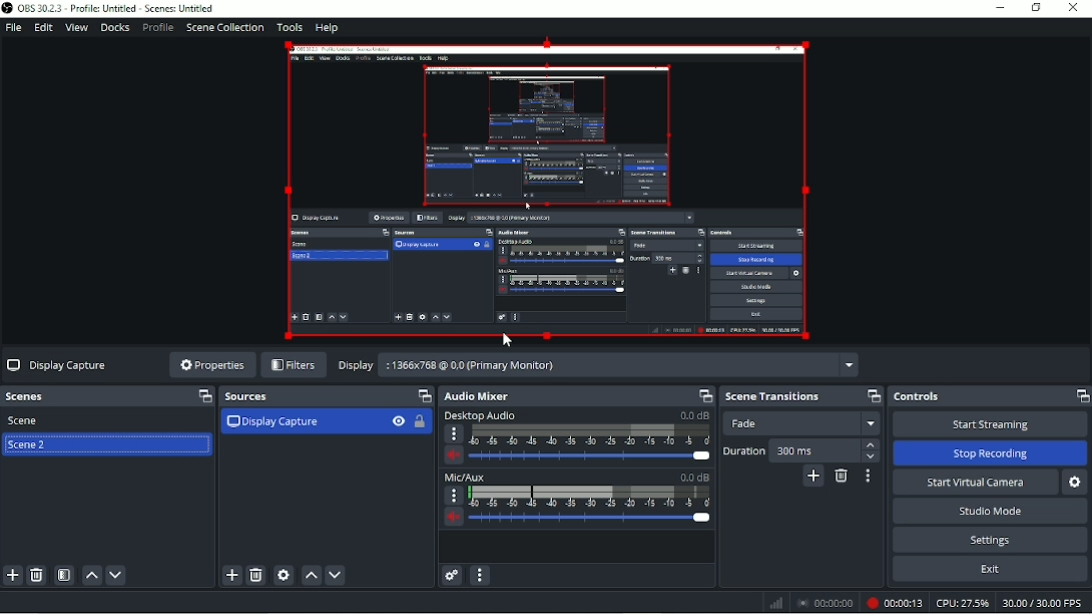  I want to click on 30.00/30.00 FPS, so click(1045, 604).